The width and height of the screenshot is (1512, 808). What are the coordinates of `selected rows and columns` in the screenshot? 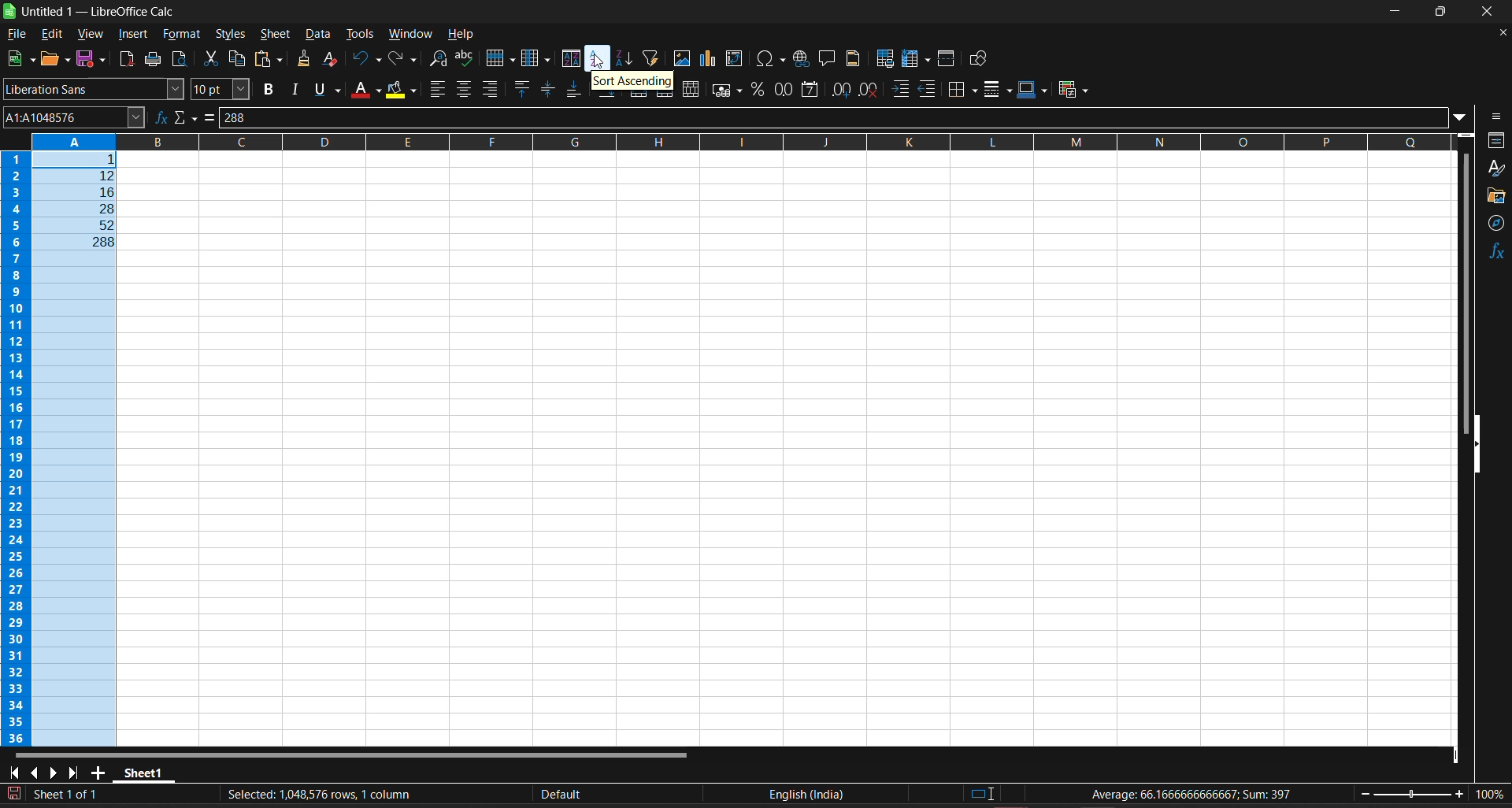 It's located at (315, 792).